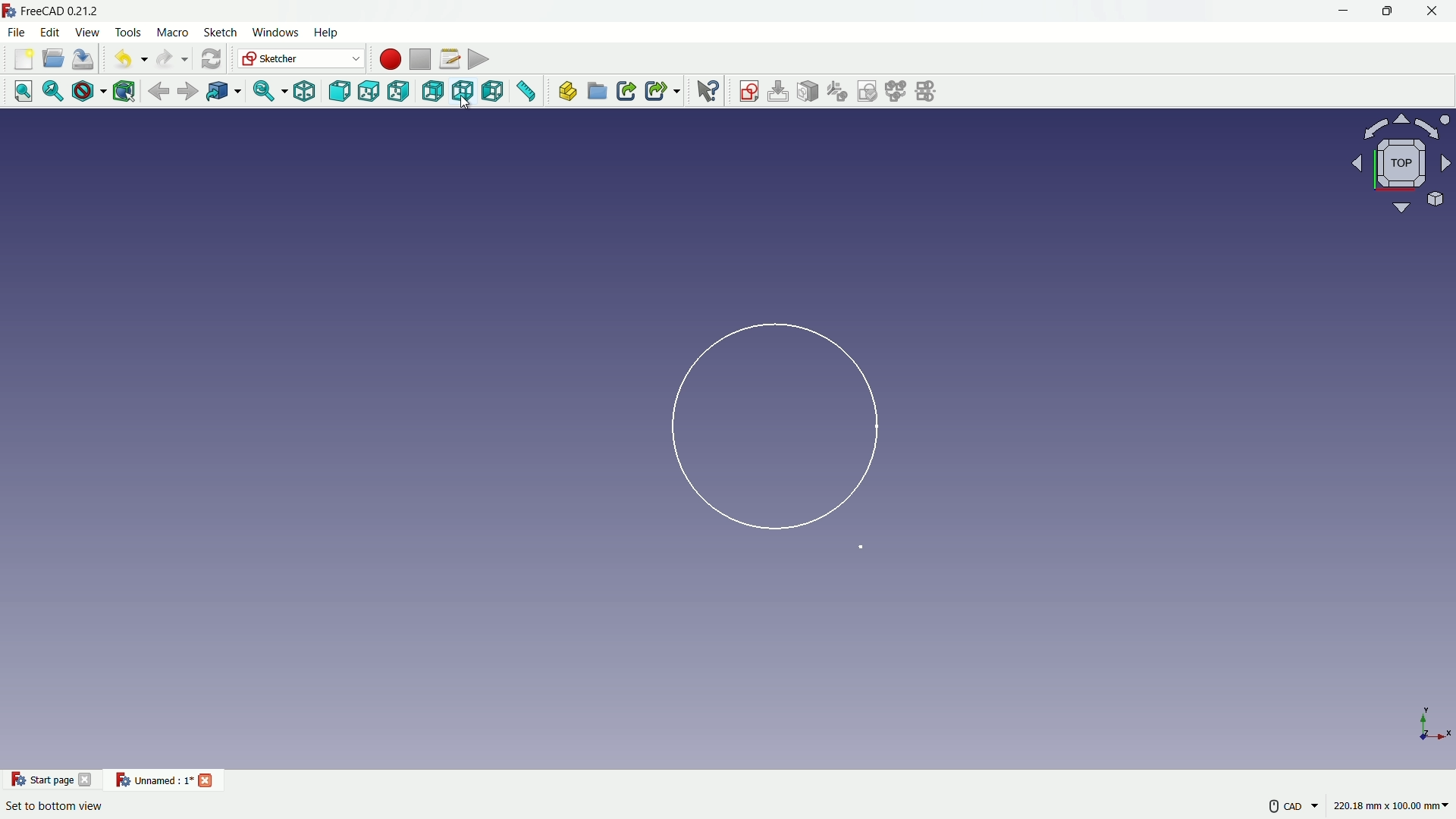  I want to click on view, so click(1396, 164).